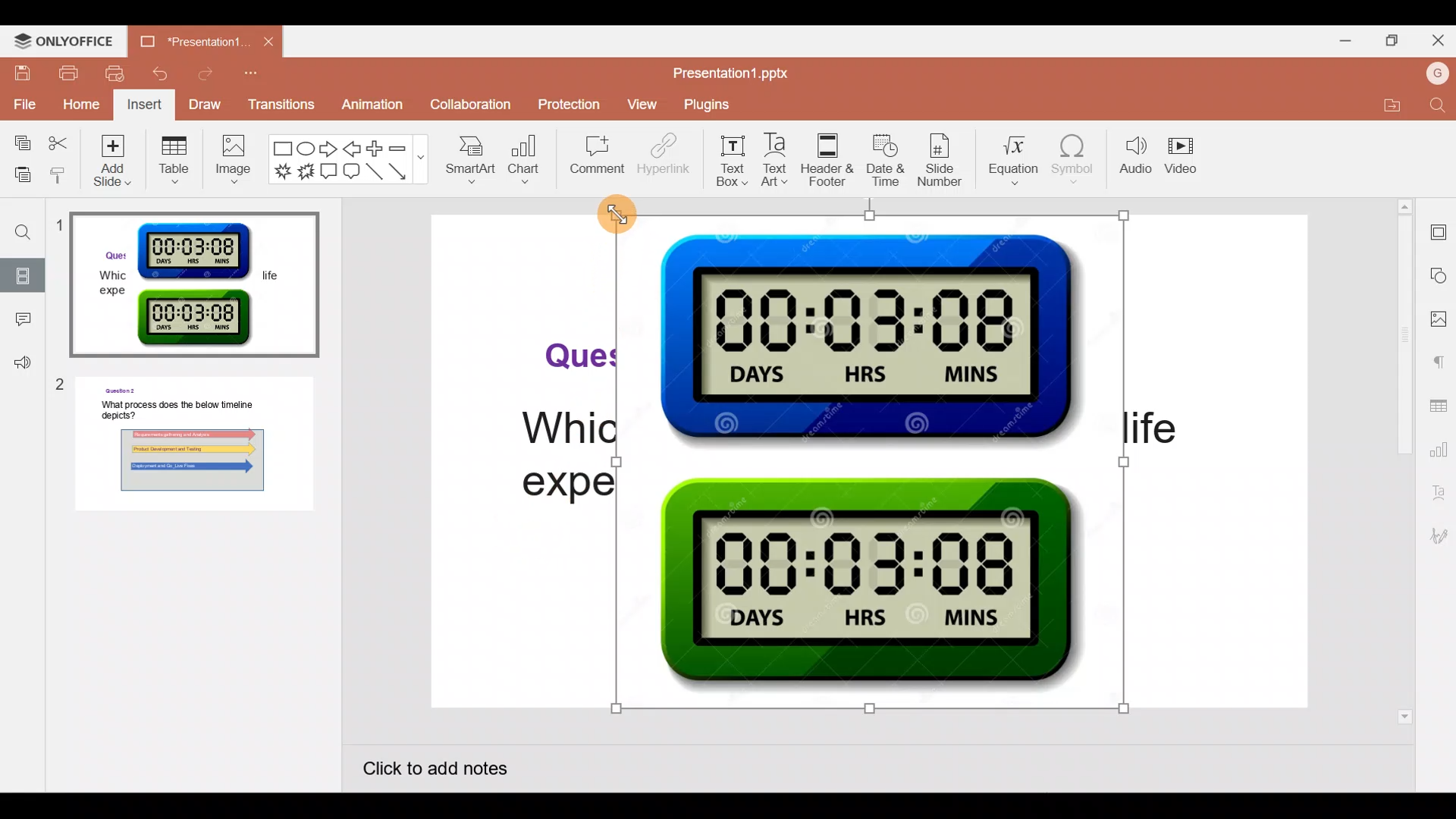 This screenshot has width=1456, height=819. Describe the element at coordinates (732, 71) in the screenshot. I see `Presentation1.pptx` at that location.